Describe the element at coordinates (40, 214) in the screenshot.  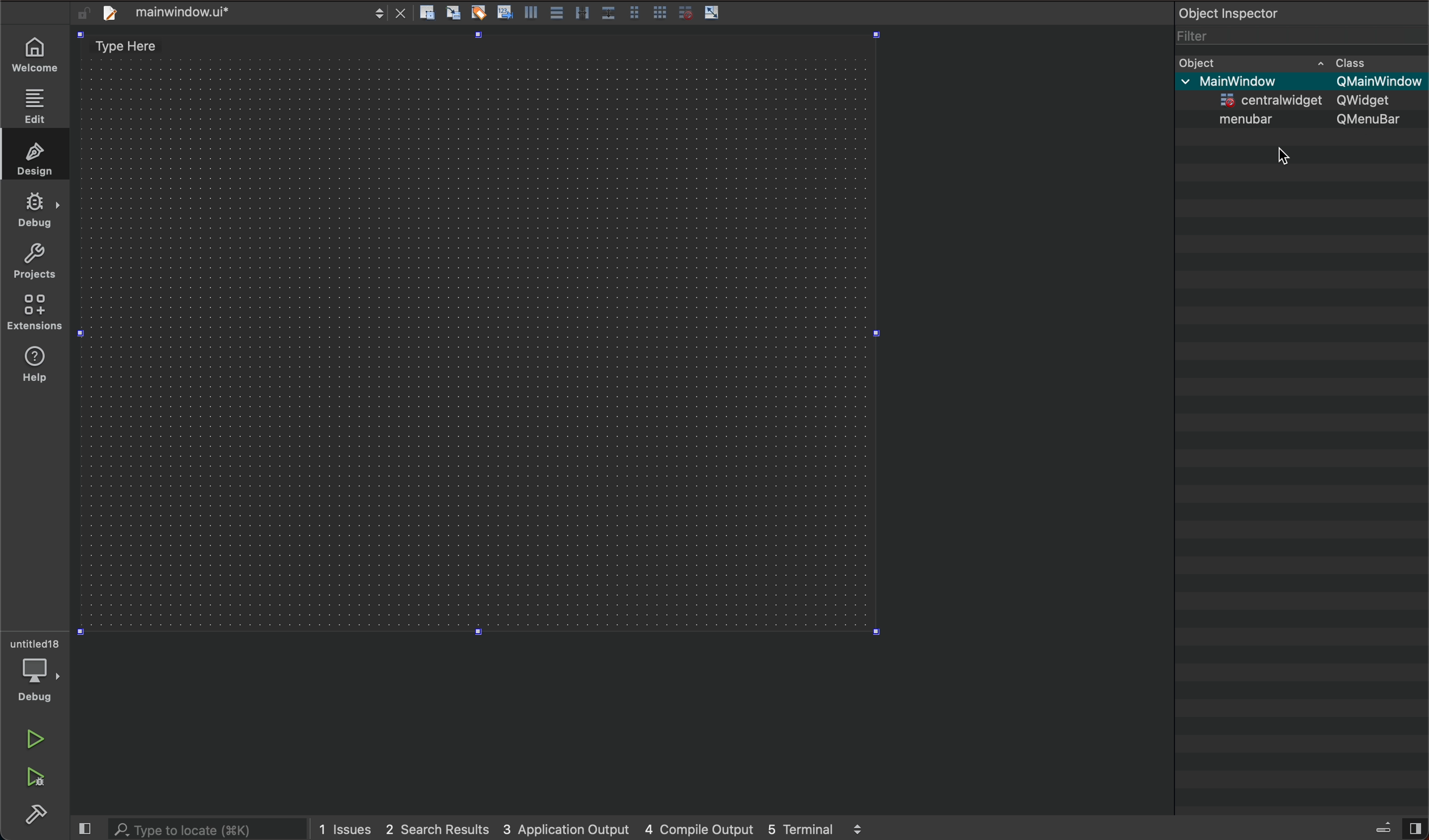
I see `debug` at that location.